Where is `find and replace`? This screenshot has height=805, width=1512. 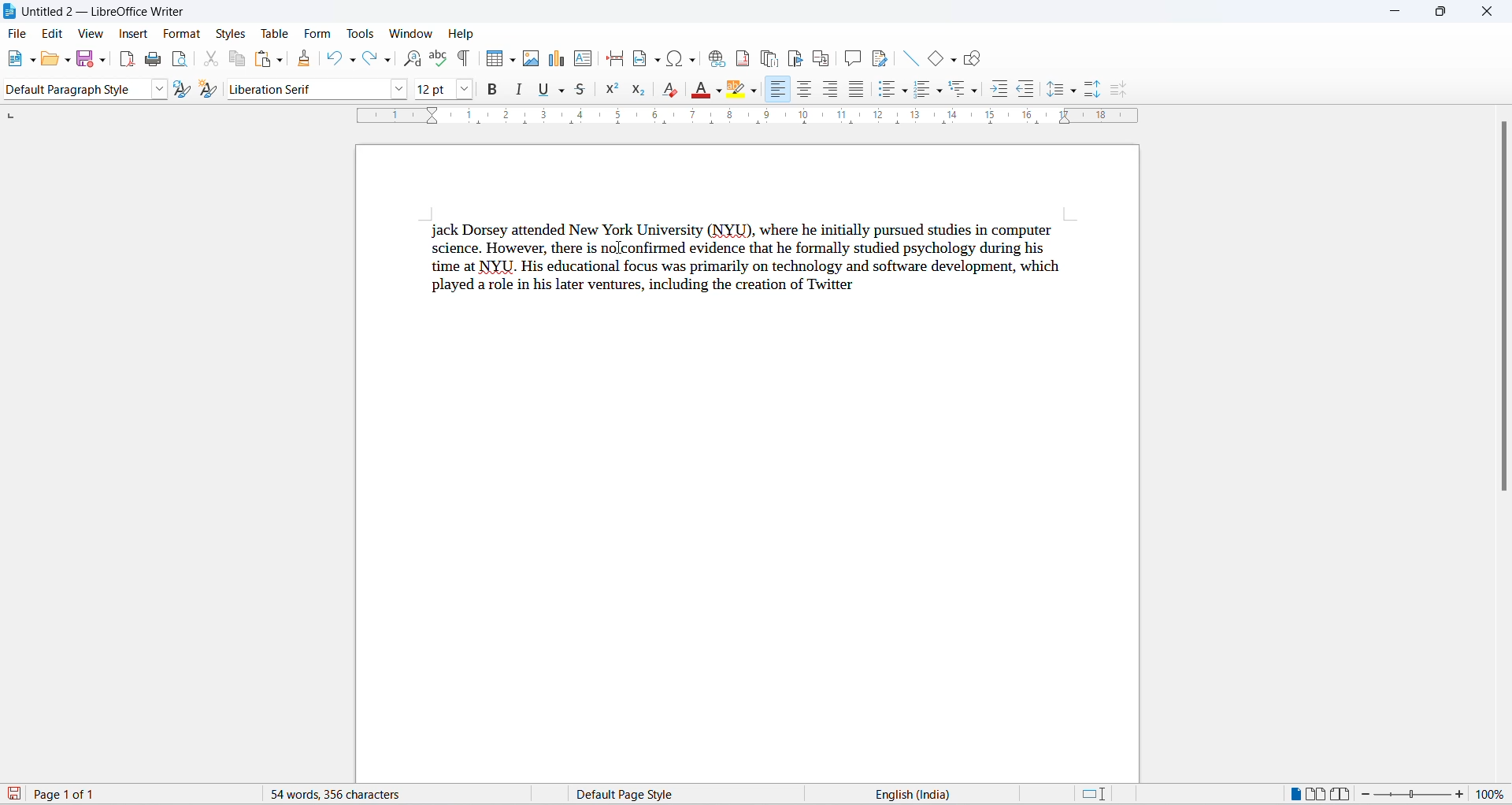
find and replace is located at coordinates (416, 58).